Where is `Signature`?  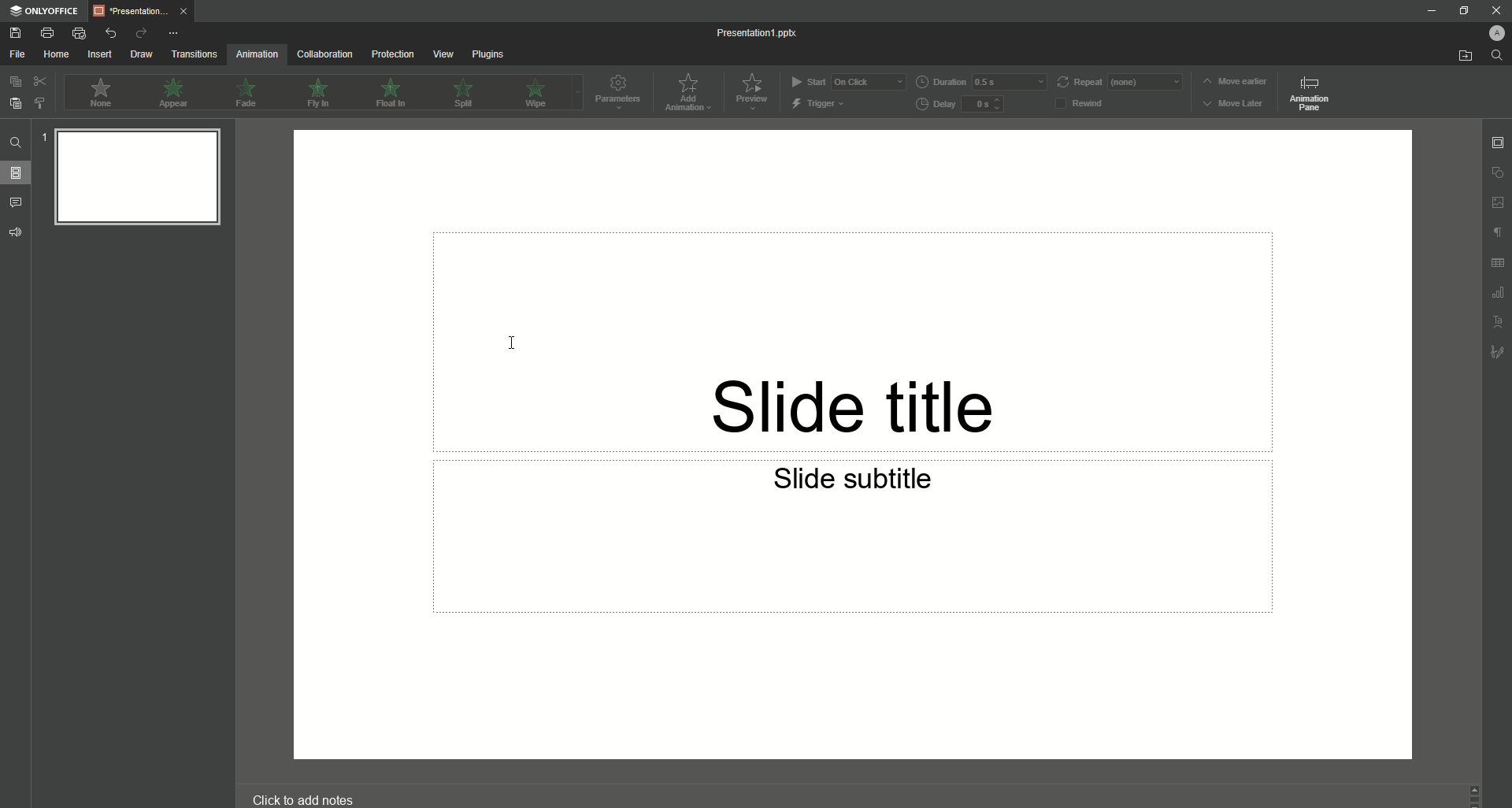 Signature is located at coordinates (1495, 354).